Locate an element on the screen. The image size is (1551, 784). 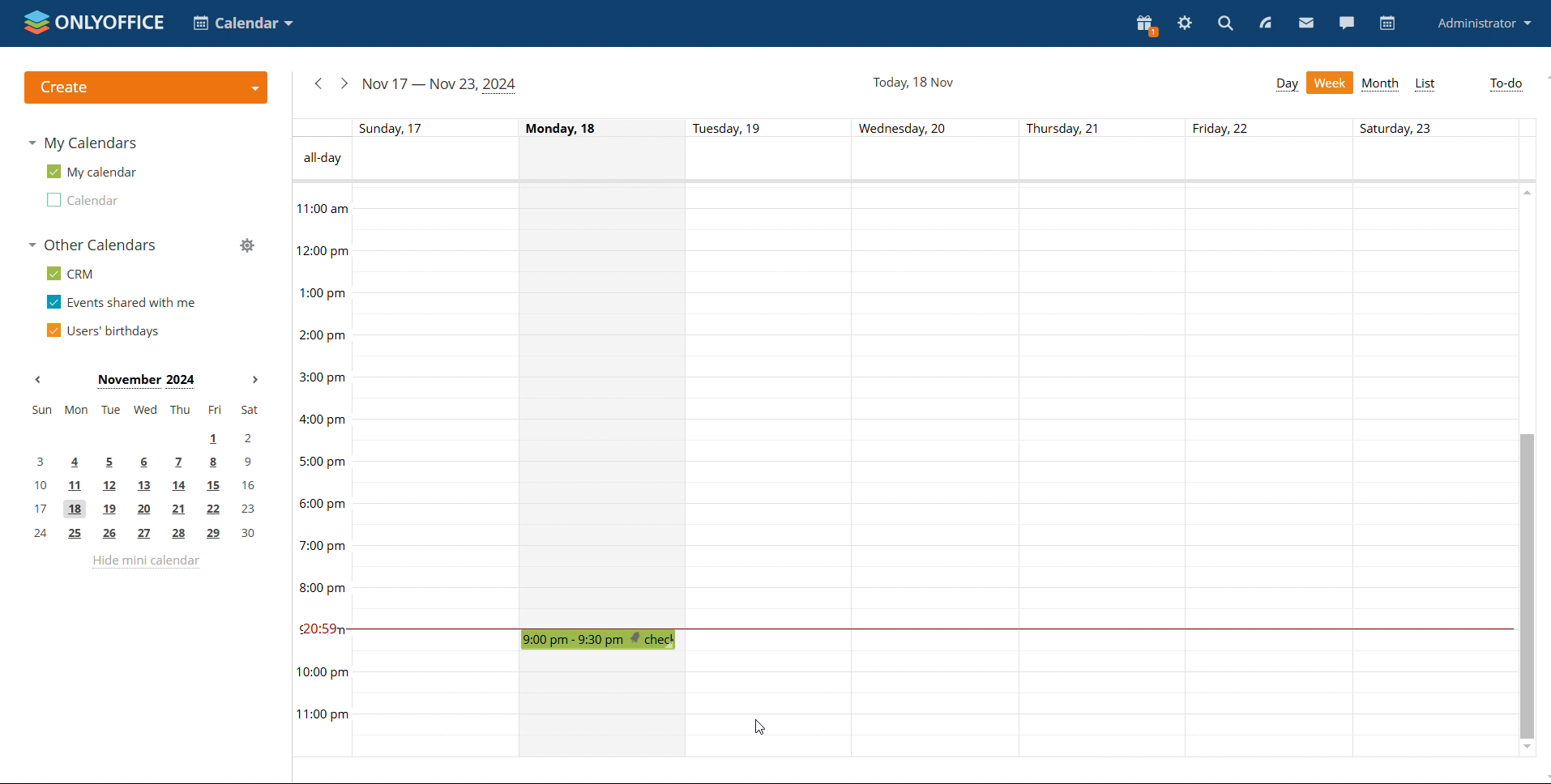
other calendars is located at coordinates (92, 245).